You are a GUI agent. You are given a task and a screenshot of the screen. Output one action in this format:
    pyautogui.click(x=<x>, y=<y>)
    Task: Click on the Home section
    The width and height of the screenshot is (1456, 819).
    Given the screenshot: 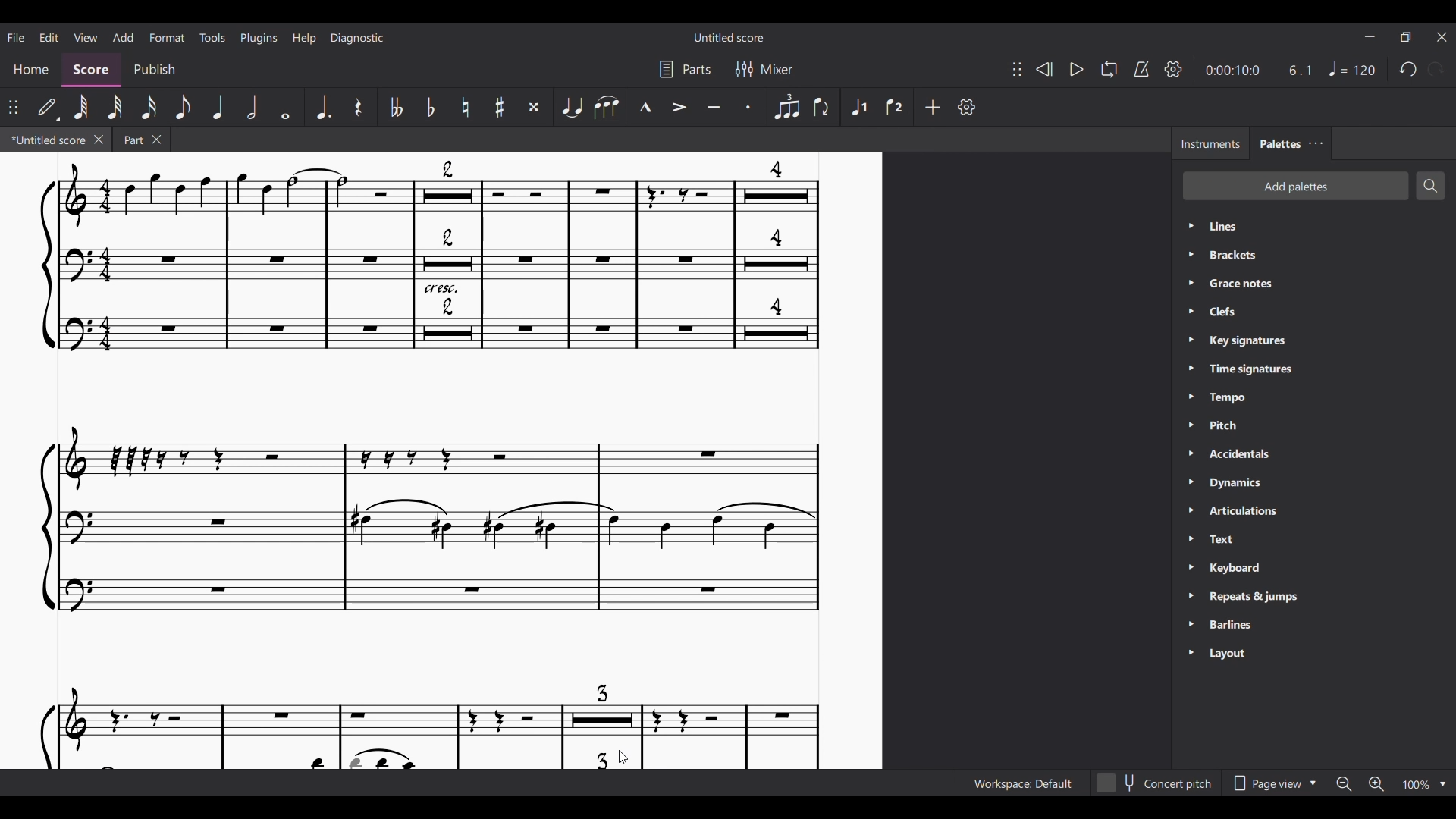 What is the action you would take?
    pyautogui.click(x=30, y=70)
    